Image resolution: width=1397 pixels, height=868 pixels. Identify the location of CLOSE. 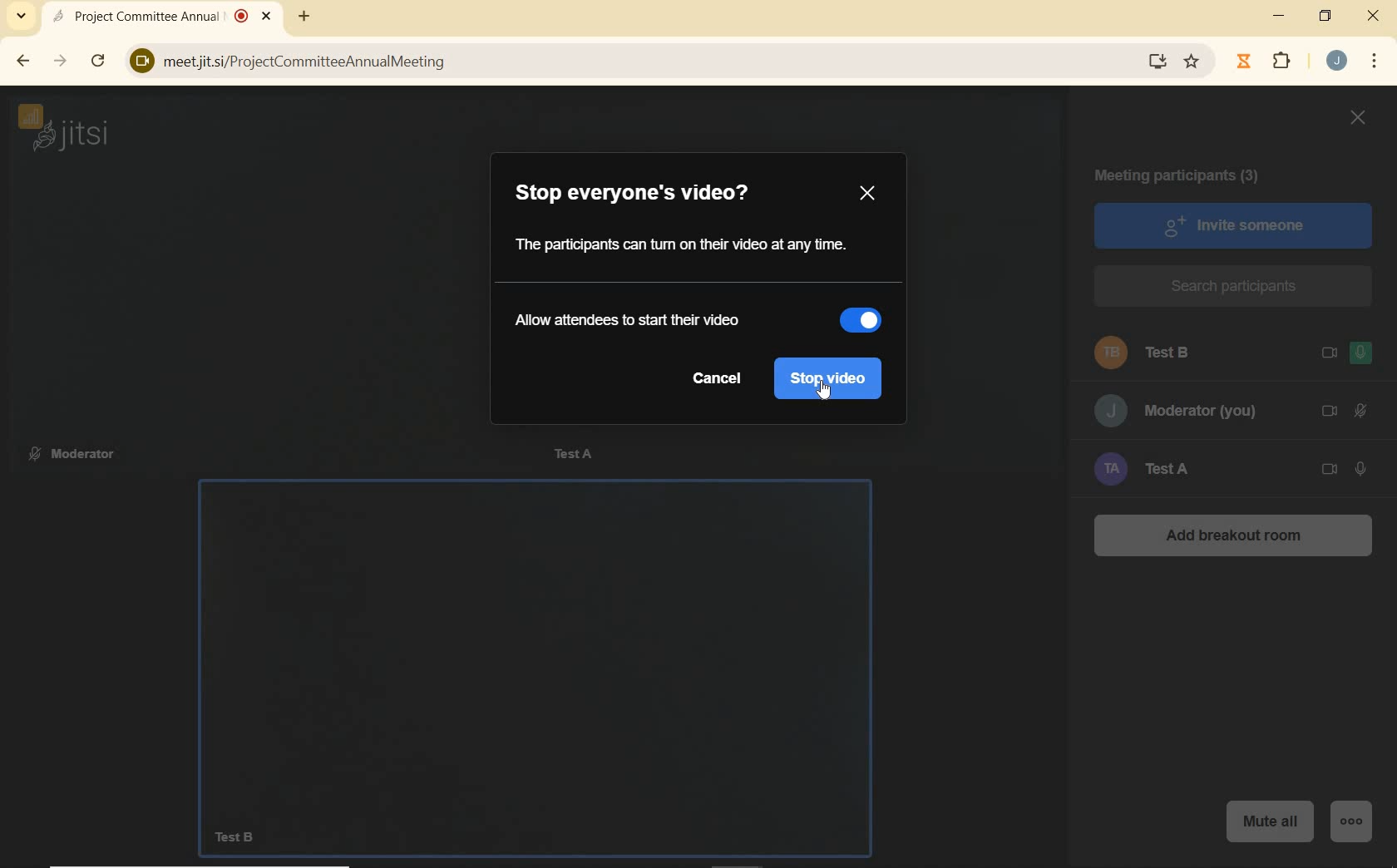
(1357, 121).